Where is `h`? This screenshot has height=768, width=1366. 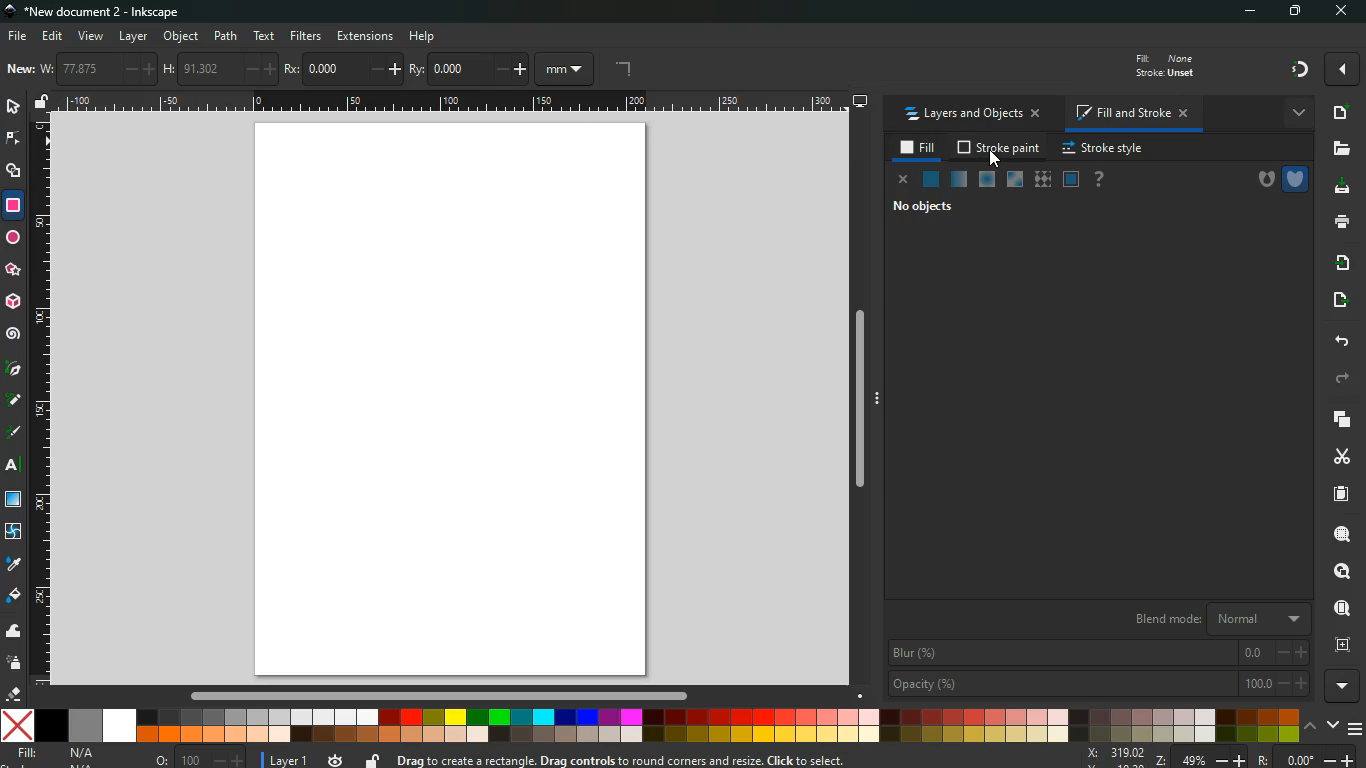 h is located at coordinates (219, 69).